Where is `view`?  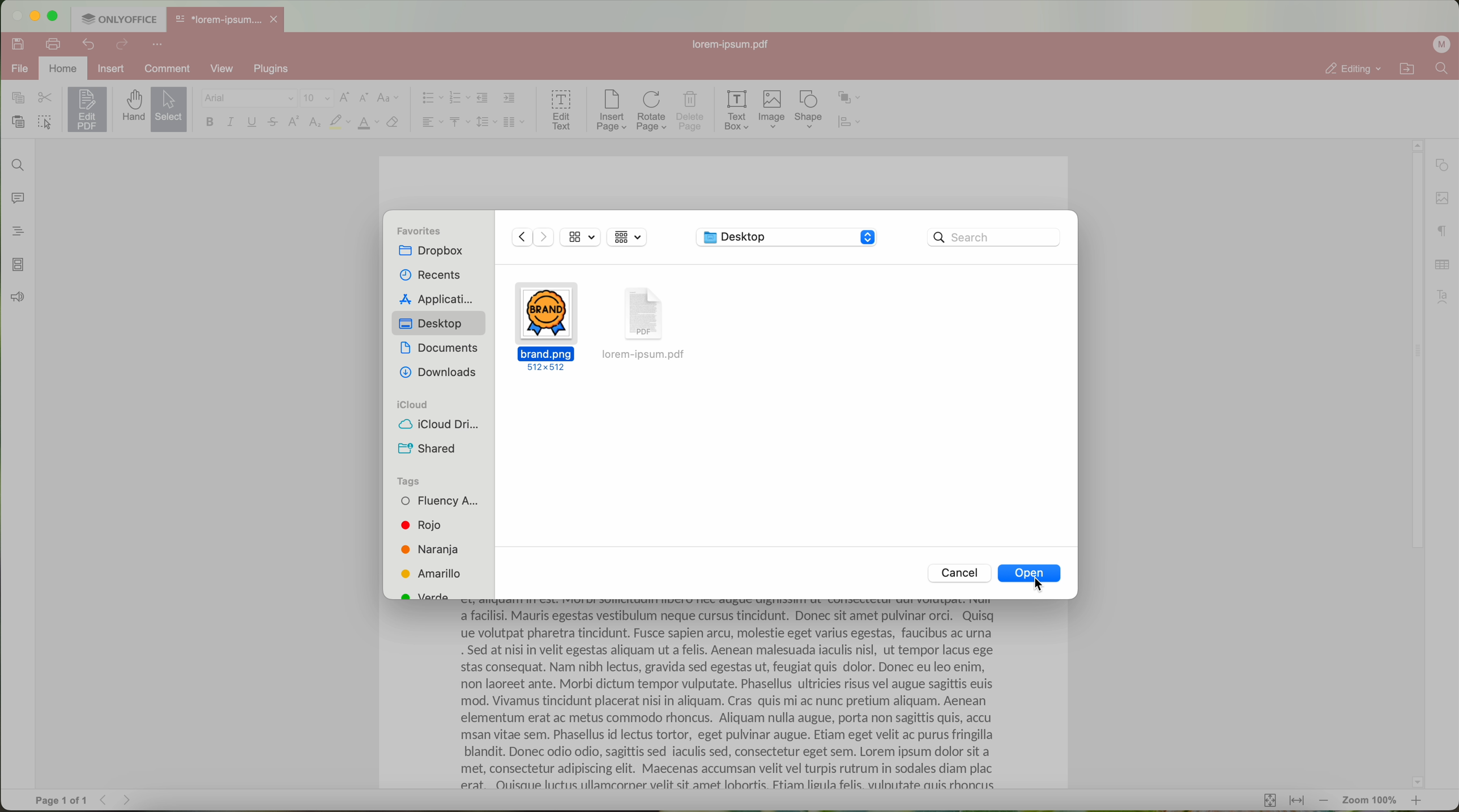 view is located at coordinates (580, 236).